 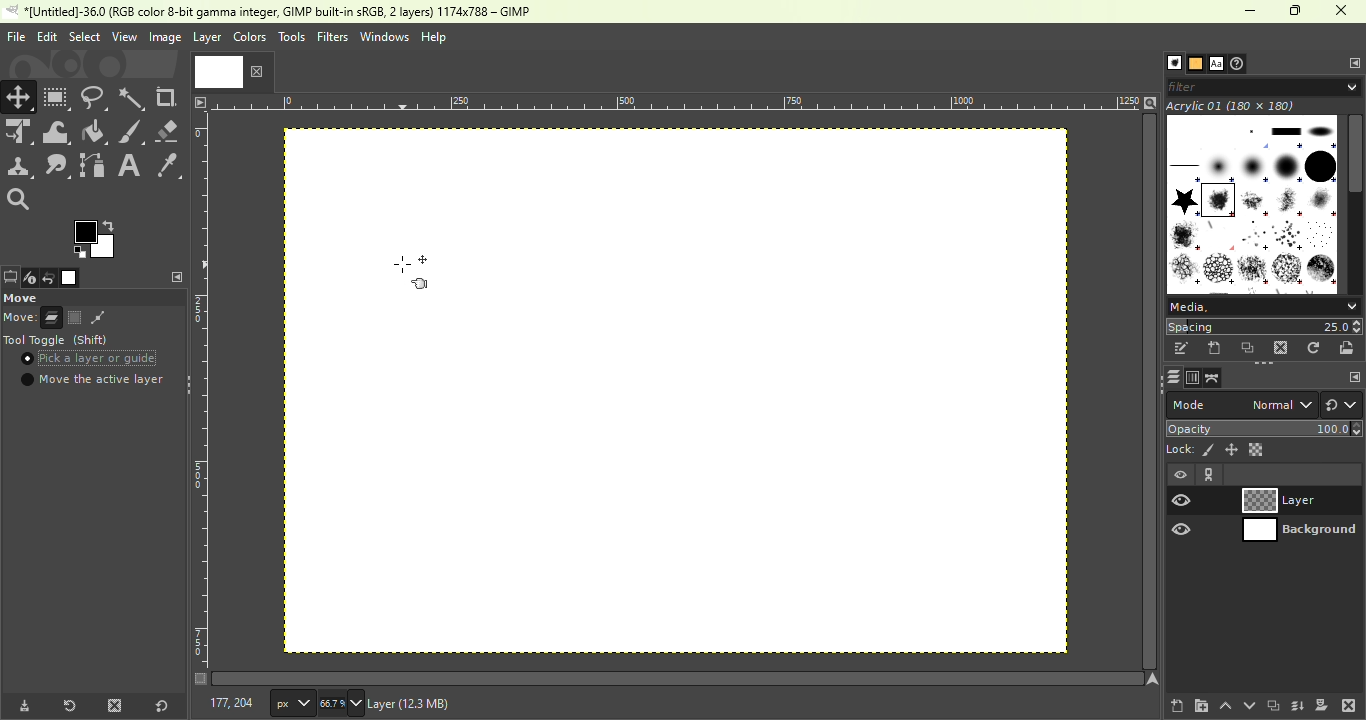 What do you see at coordinates (1351, 62) in the screenshot?
I see `Configure this tab` at bounding box center [1351, 62].